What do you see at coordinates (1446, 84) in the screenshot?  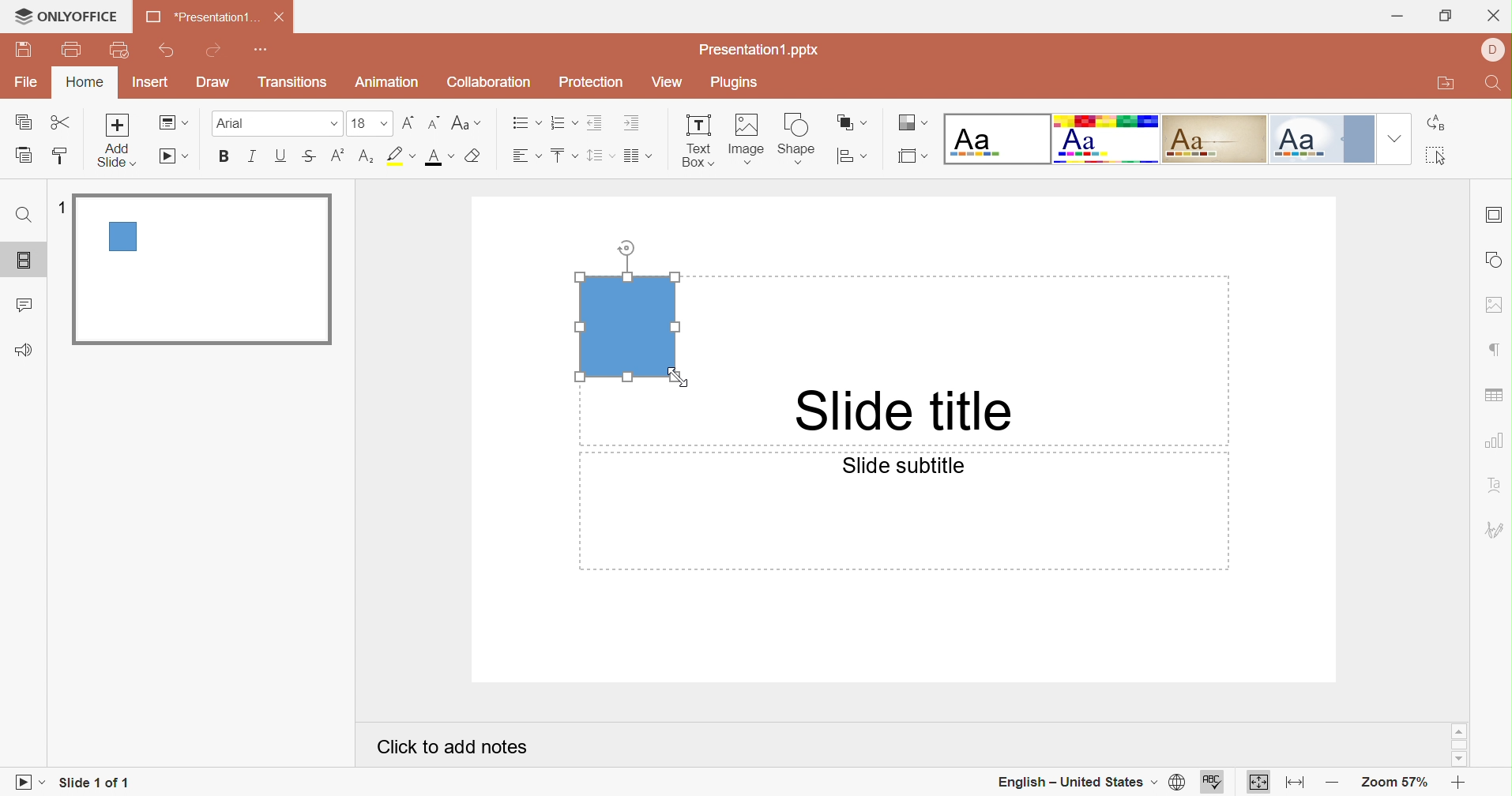 I see `Open file location` at bounding box center [1446, 84].